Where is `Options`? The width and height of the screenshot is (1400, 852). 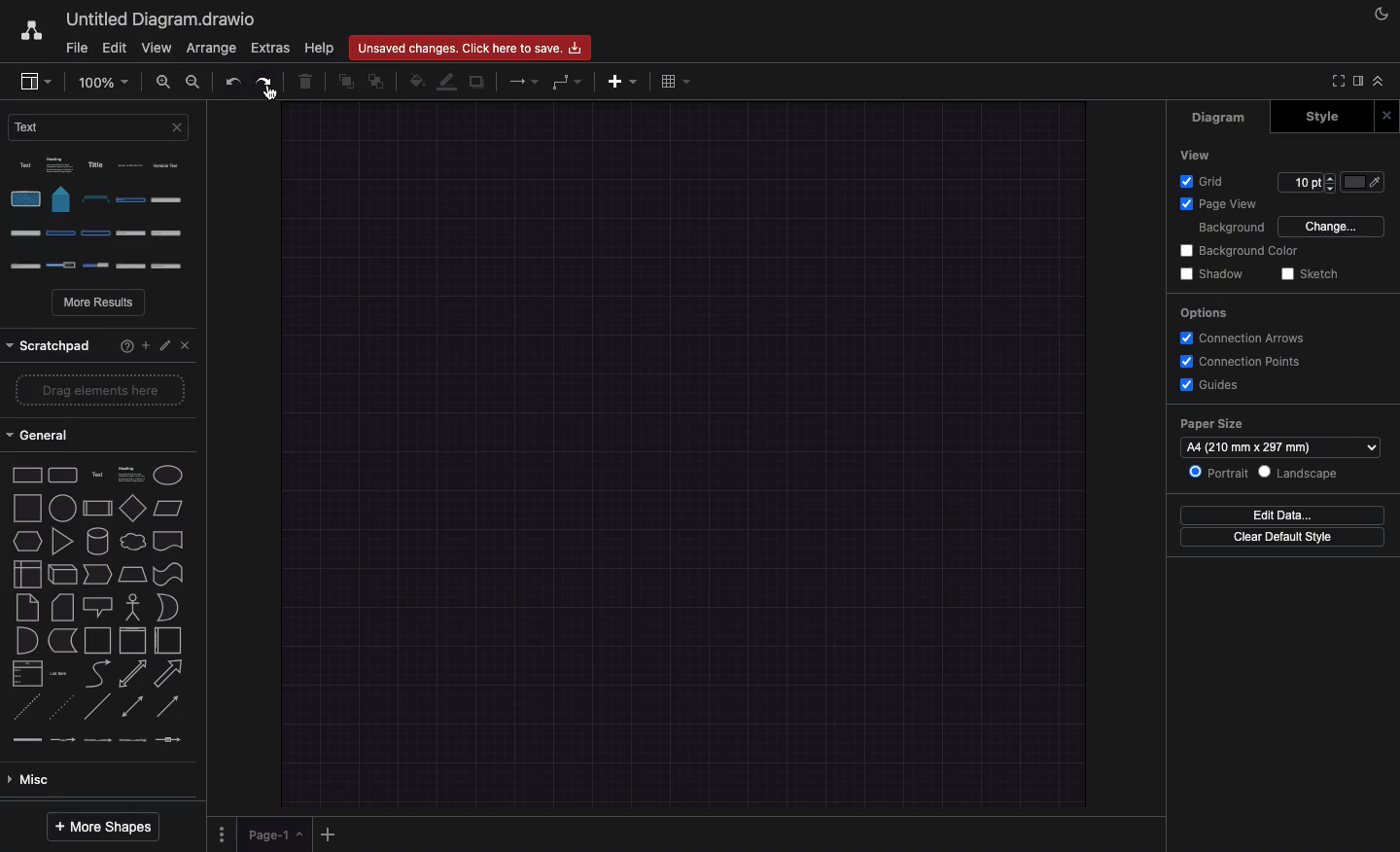
Options is located at coordinates (1207, 313).